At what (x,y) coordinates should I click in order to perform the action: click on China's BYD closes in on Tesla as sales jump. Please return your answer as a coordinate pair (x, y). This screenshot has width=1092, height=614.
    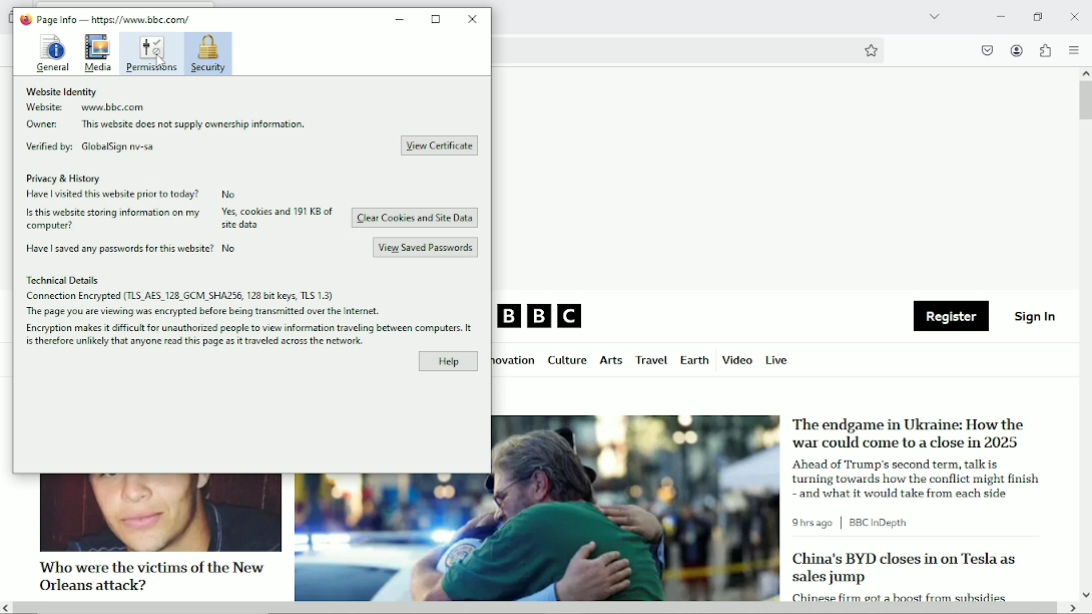
    Looking at the image, I should click on (904, 568).